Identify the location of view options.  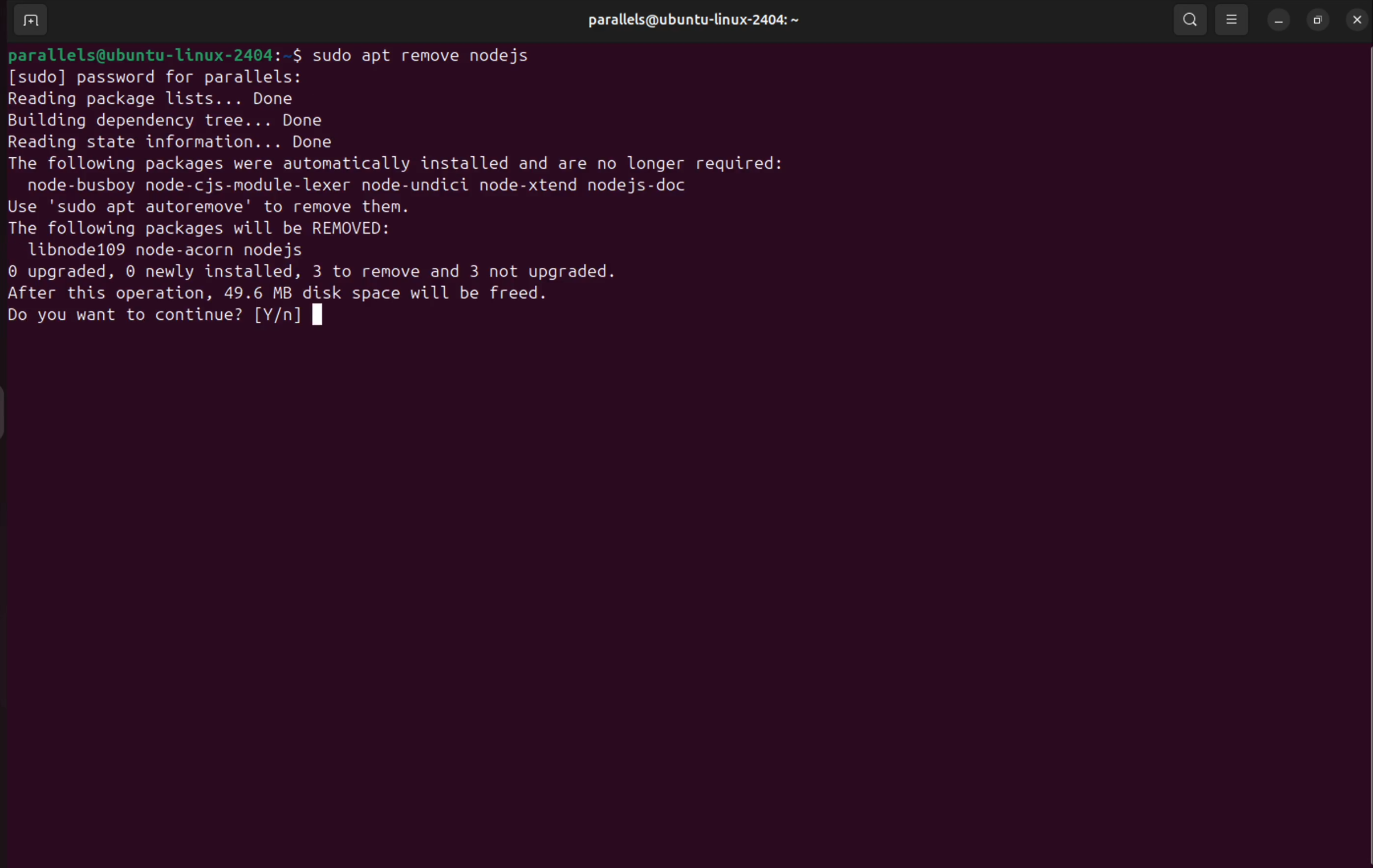
(1231, 21).